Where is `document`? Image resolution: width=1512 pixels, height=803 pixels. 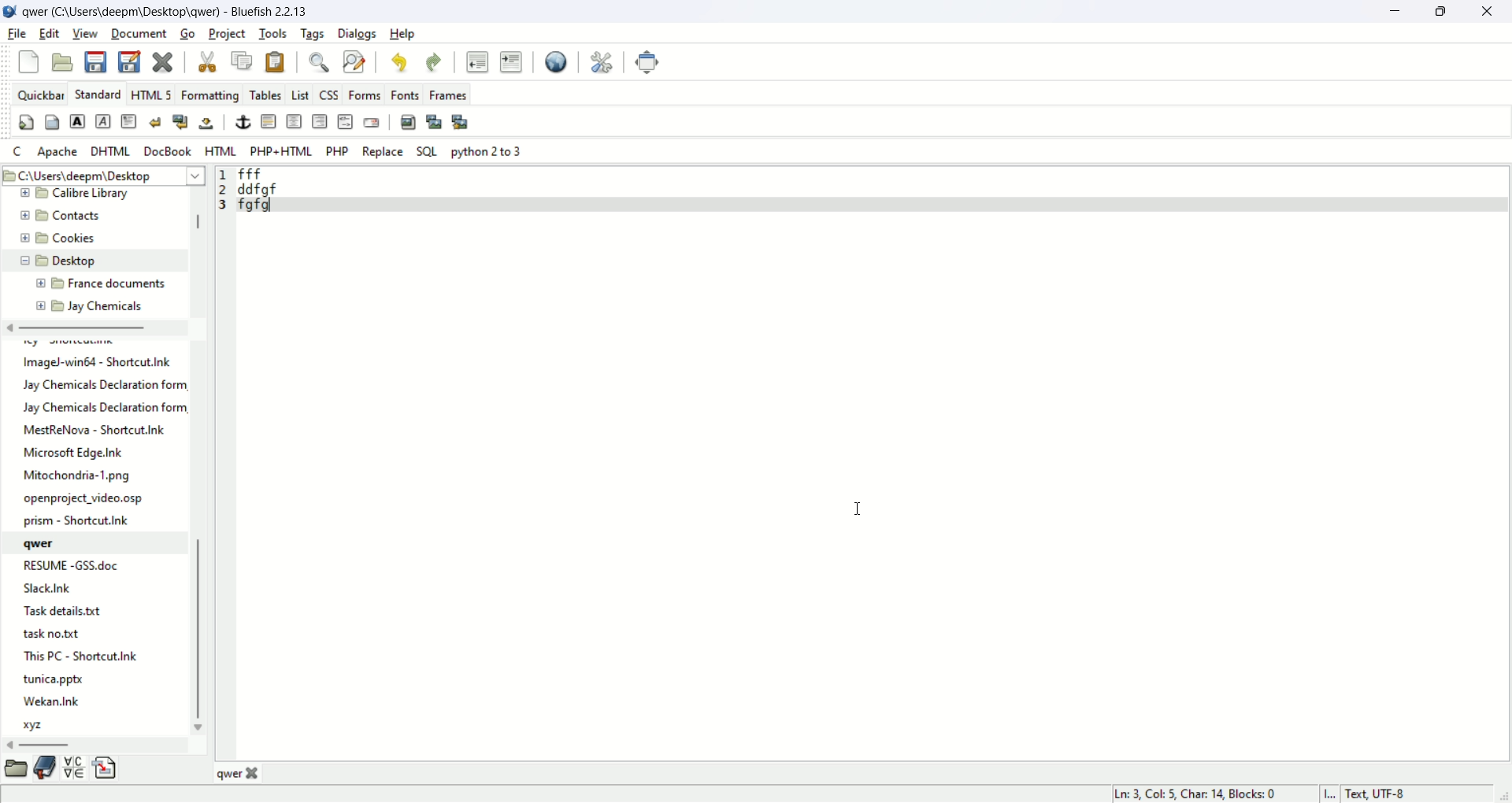 document is located at coordinates (139, 34).